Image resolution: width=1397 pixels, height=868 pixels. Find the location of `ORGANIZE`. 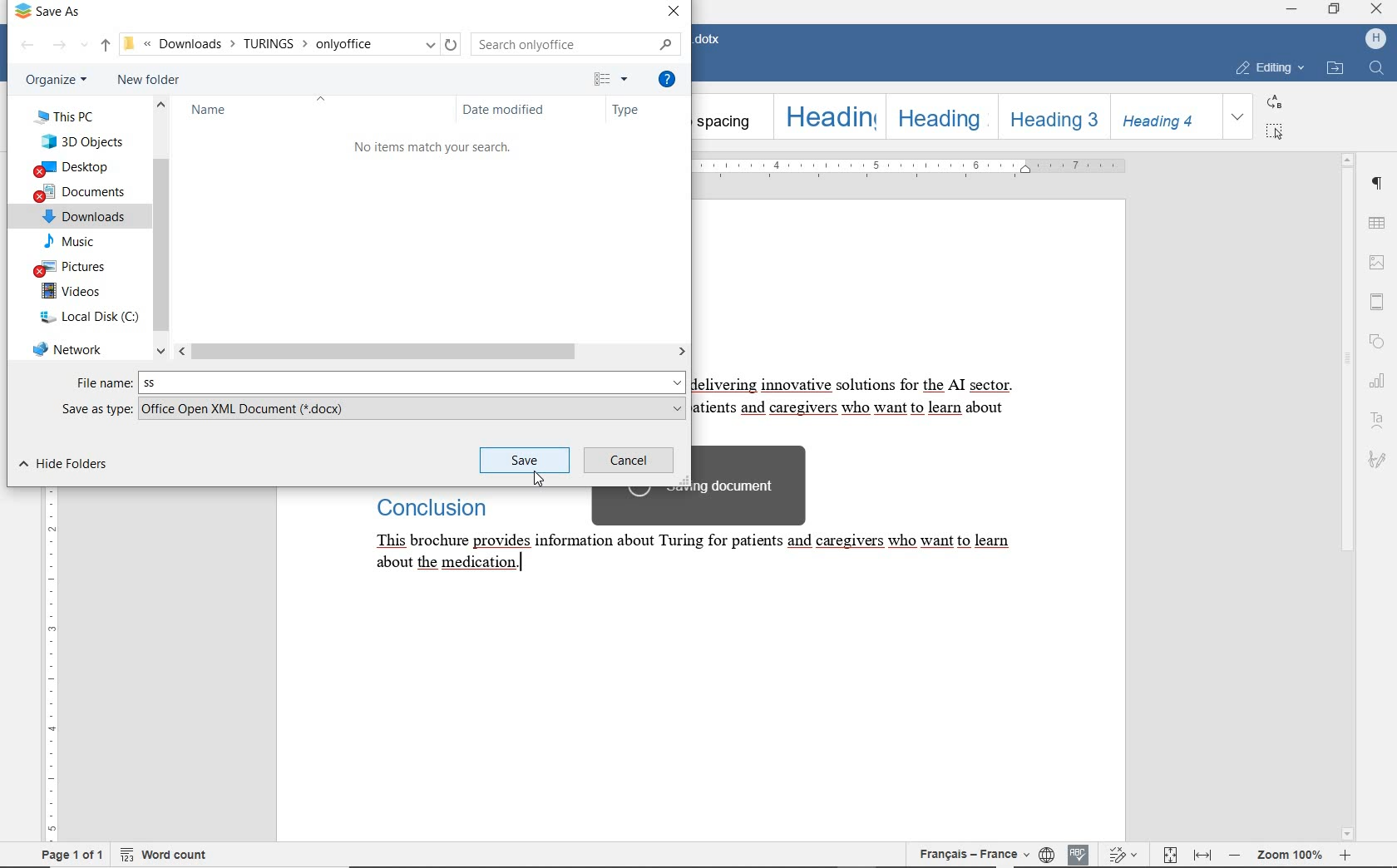

ORGANIZE is located at coordinates (56, 81).